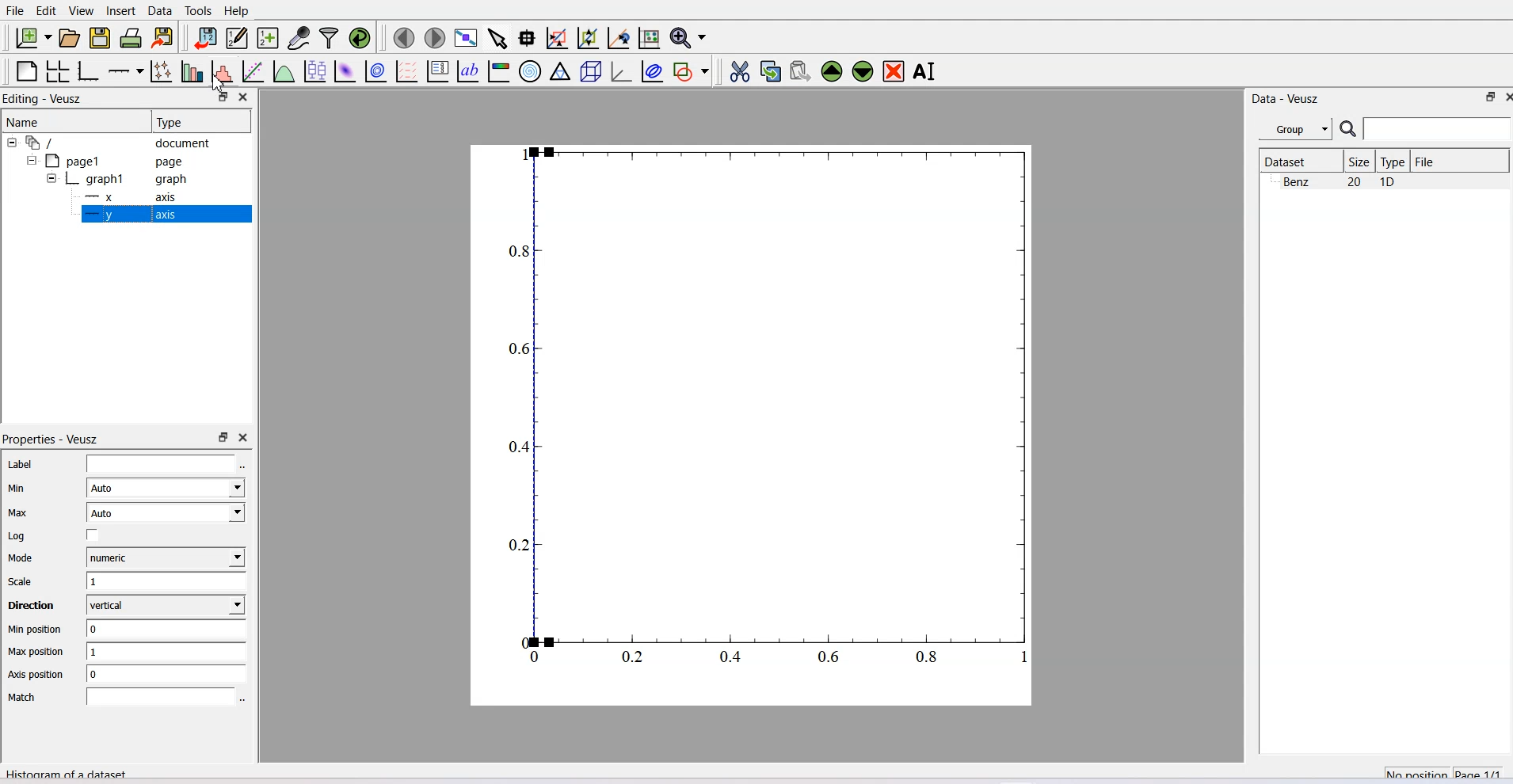 The width and height of the screenshot is (1513, 784). Describe the element at coordinates (925, 71) in the screenshot. I see `Rename the selected widget` at that location.